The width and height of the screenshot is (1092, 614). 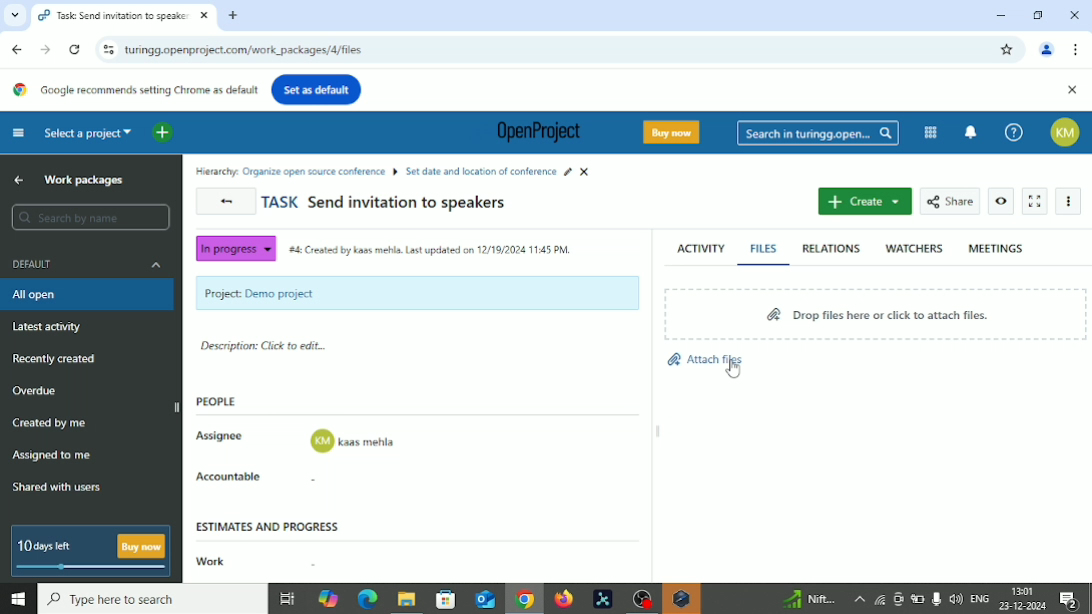 What do you see at coordinates (52, 454) in the screenshot?
I see `Assigned to me` at bounding box center [52, 454].